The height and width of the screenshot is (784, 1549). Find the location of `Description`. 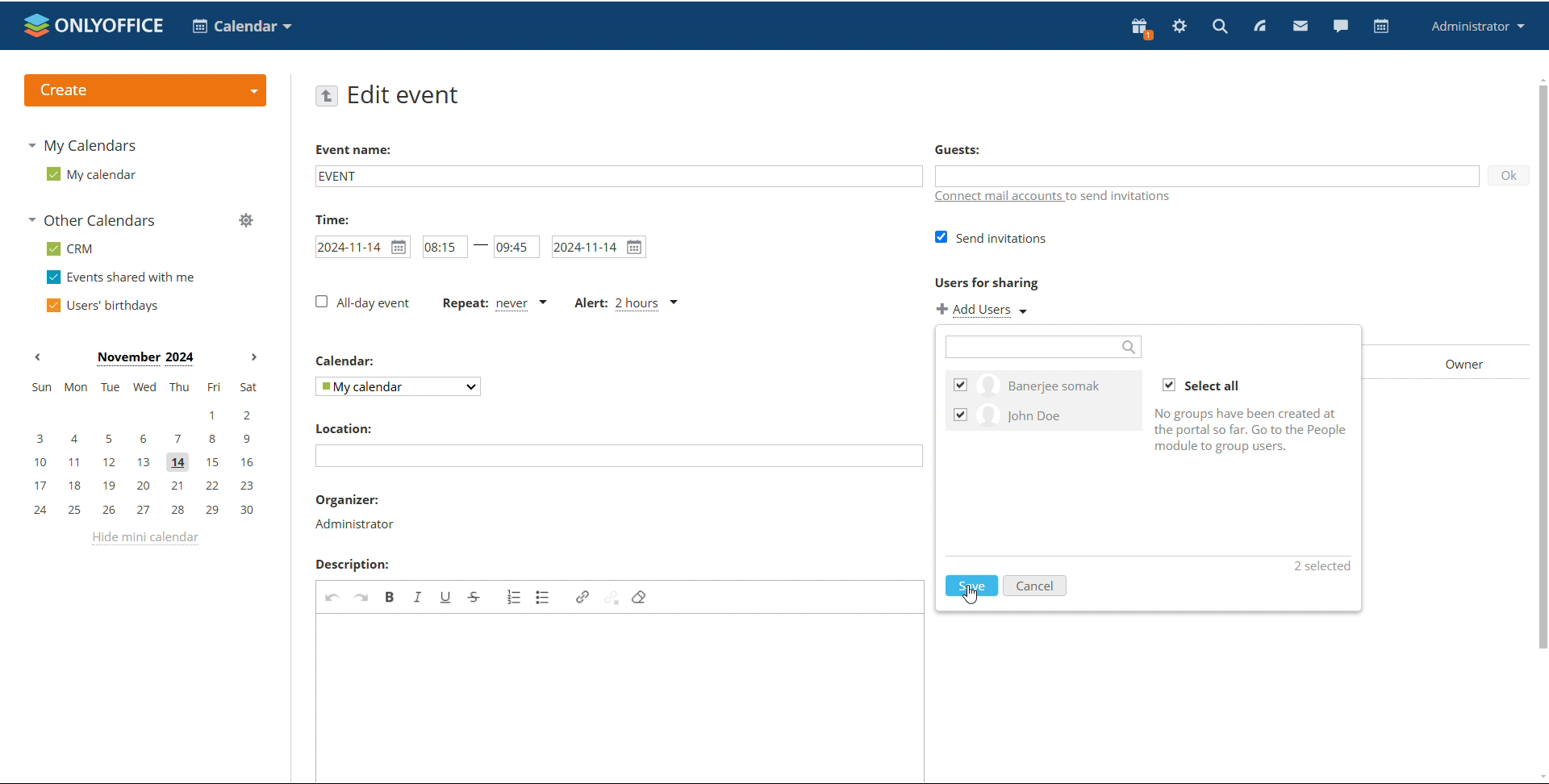

Description is located at coordinates (352, 564).